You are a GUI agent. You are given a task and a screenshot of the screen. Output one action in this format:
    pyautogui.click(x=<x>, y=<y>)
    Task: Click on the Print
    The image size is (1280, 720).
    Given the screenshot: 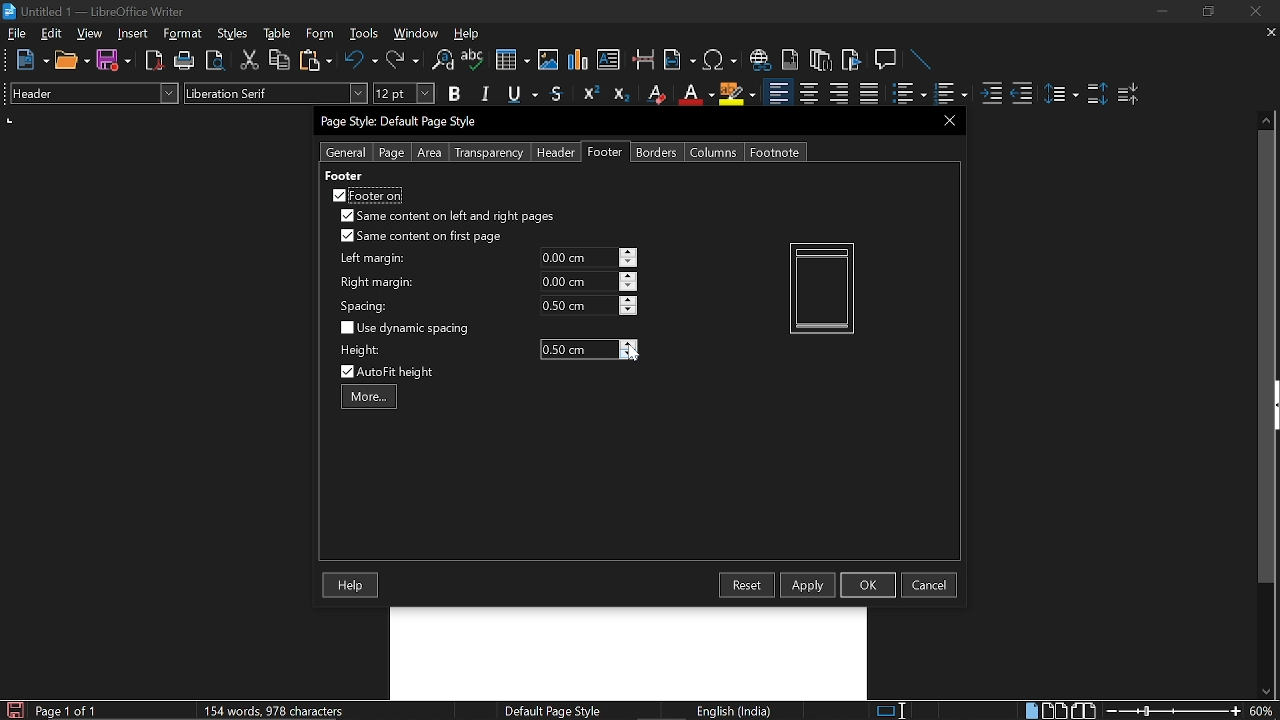 What is the action you would take?
    pyautogui.click(x=185, y=61)
    